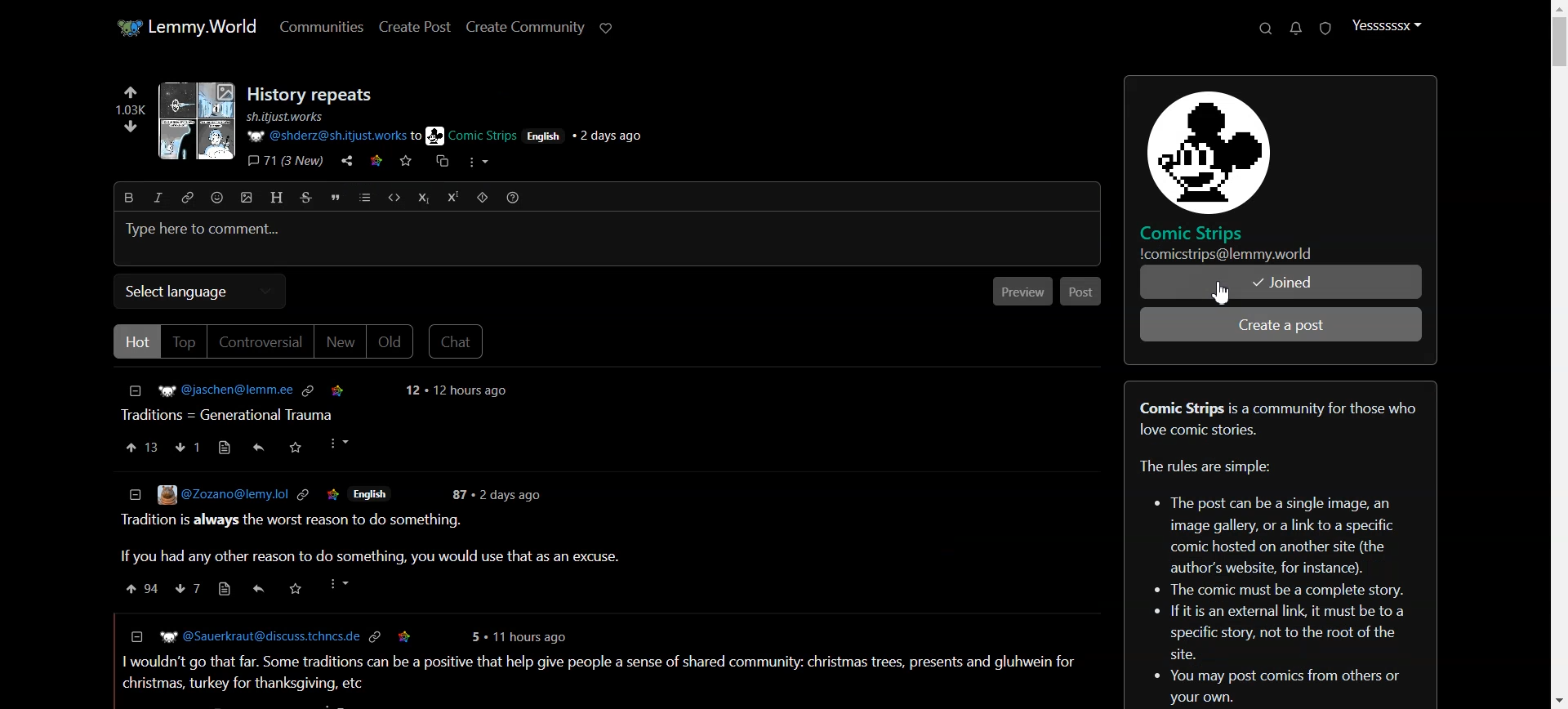  Describe the element at coordinates (233, 413) in the screenshot. I see `Traditions = Generational Trauma` at that location.